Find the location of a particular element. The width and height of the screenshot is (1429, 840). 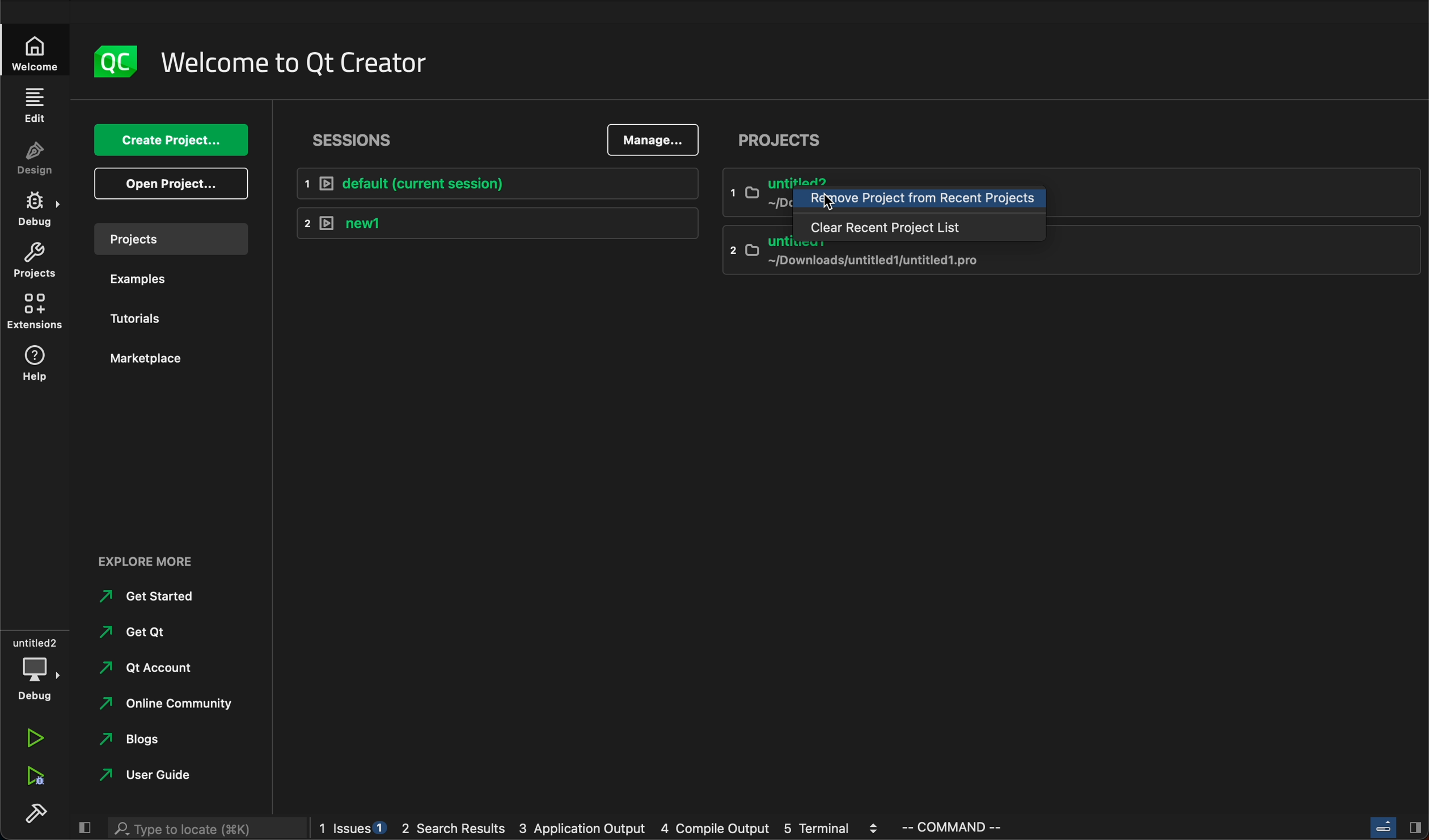

close sidebar is located at coordinates (88, 829).